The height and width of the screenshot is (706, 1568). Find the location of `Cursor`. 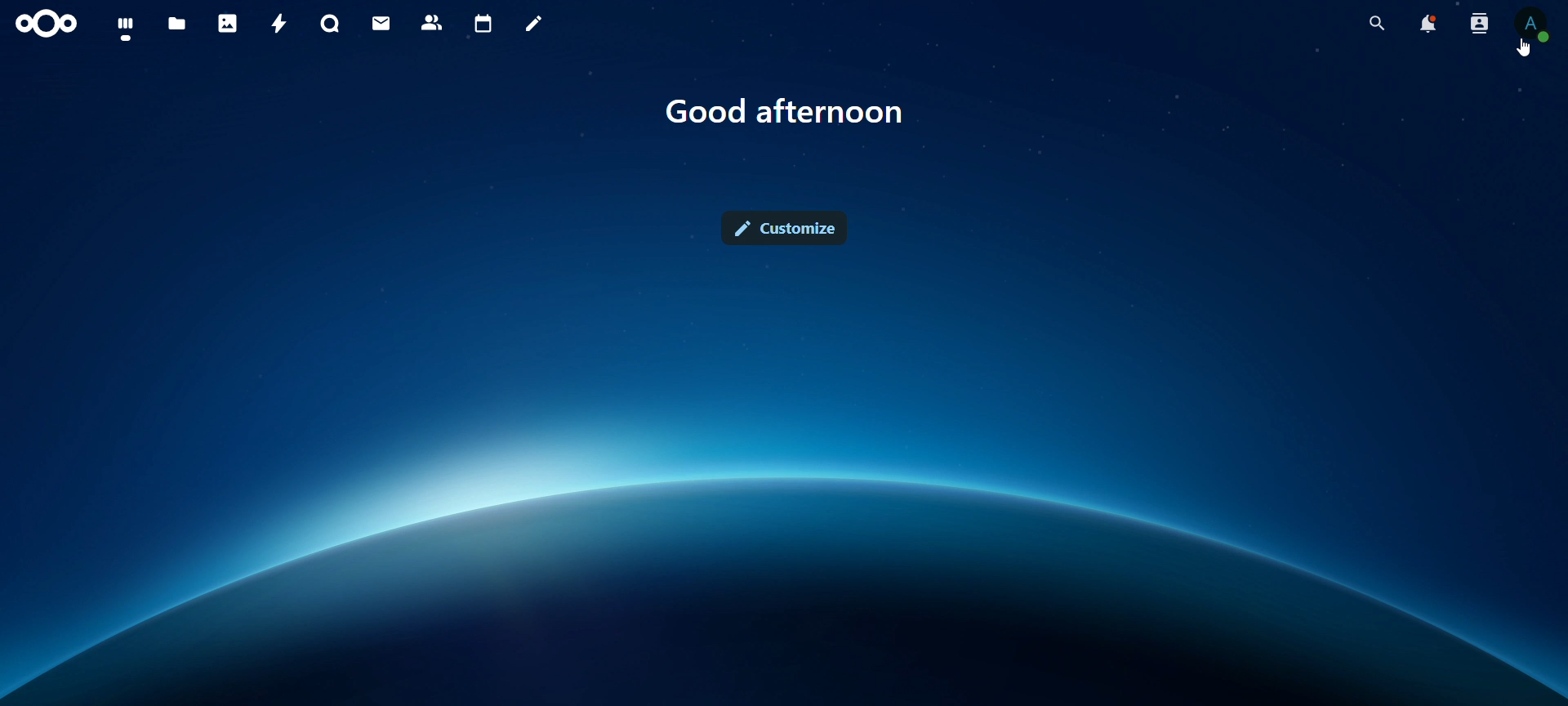

Cursor is located at coordinates (1523, 48).